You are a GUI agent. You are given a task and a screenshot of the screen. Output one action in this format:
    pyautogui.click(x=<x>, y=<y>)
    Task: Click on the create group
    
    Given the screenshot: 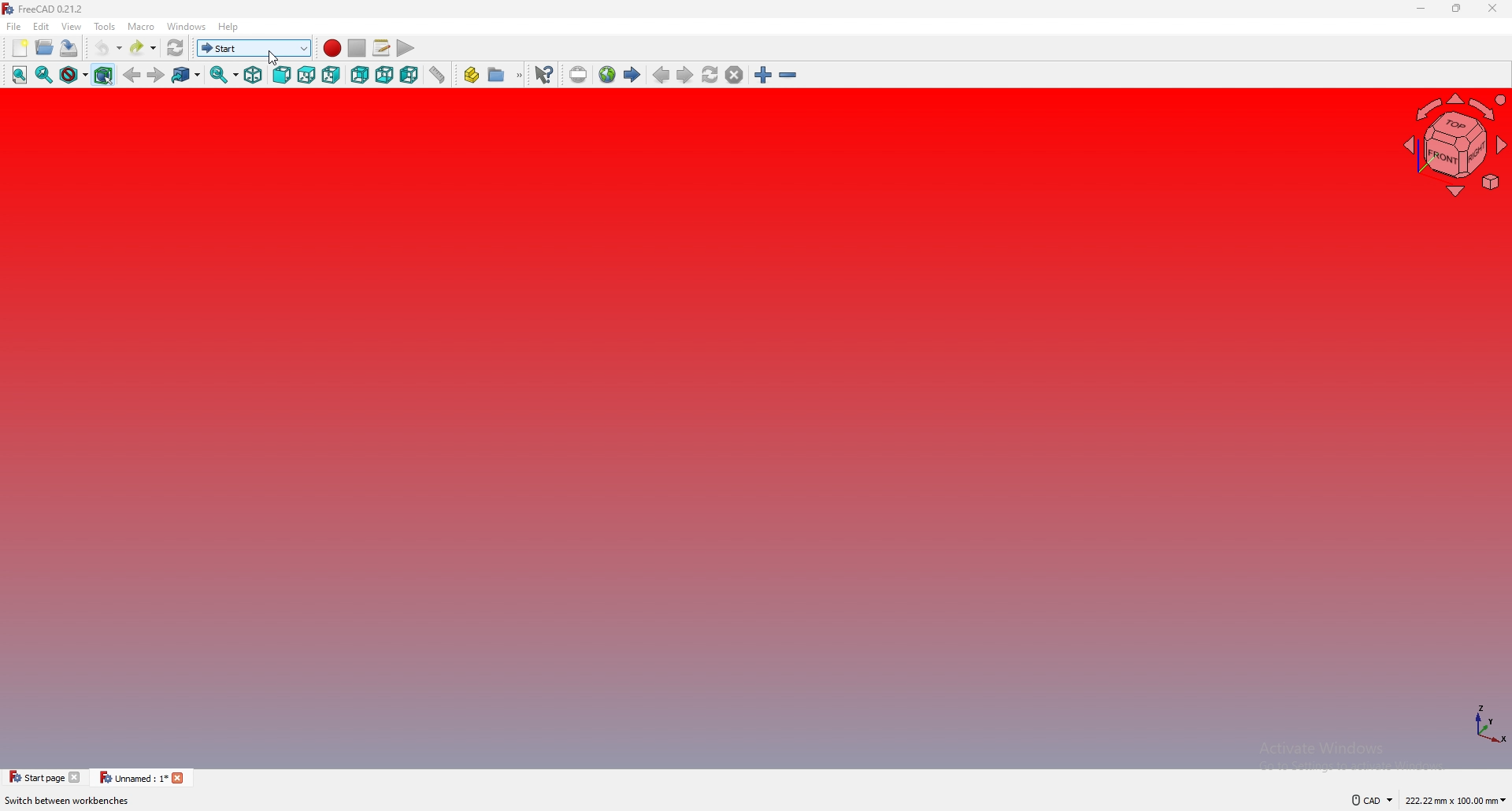 What is the action you would take?
    pyautogui.click(x=505, y=76)
    